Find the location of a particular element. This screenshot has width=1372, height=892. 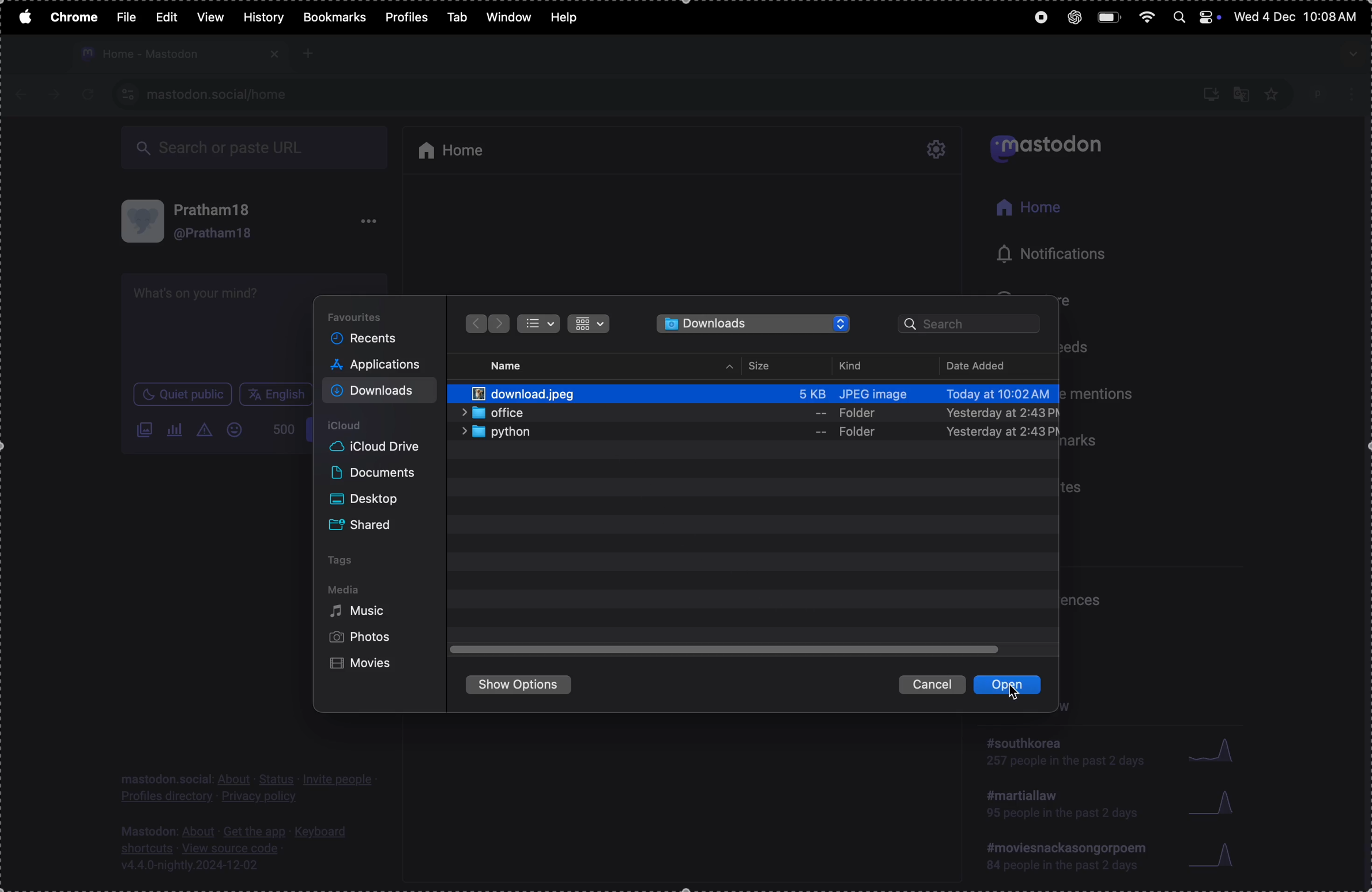

icon views is located at coordinates (589, 324).